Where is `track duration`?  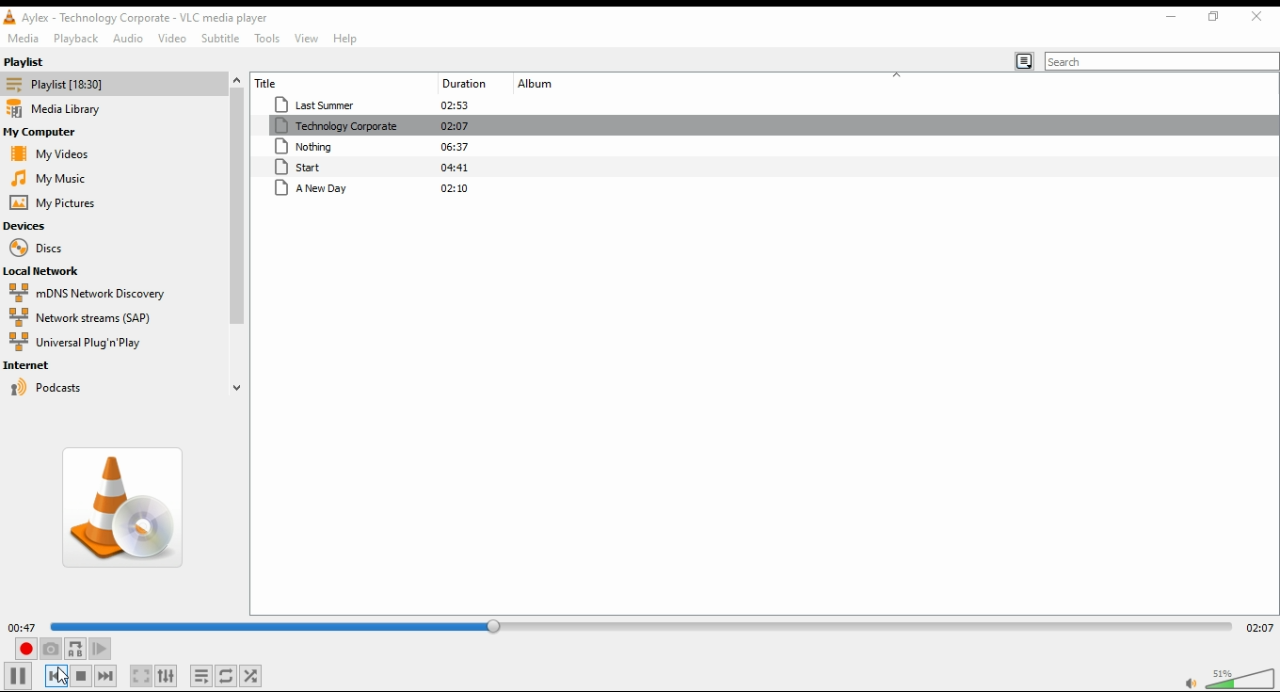
track duration is located at coordinates (459, 83).